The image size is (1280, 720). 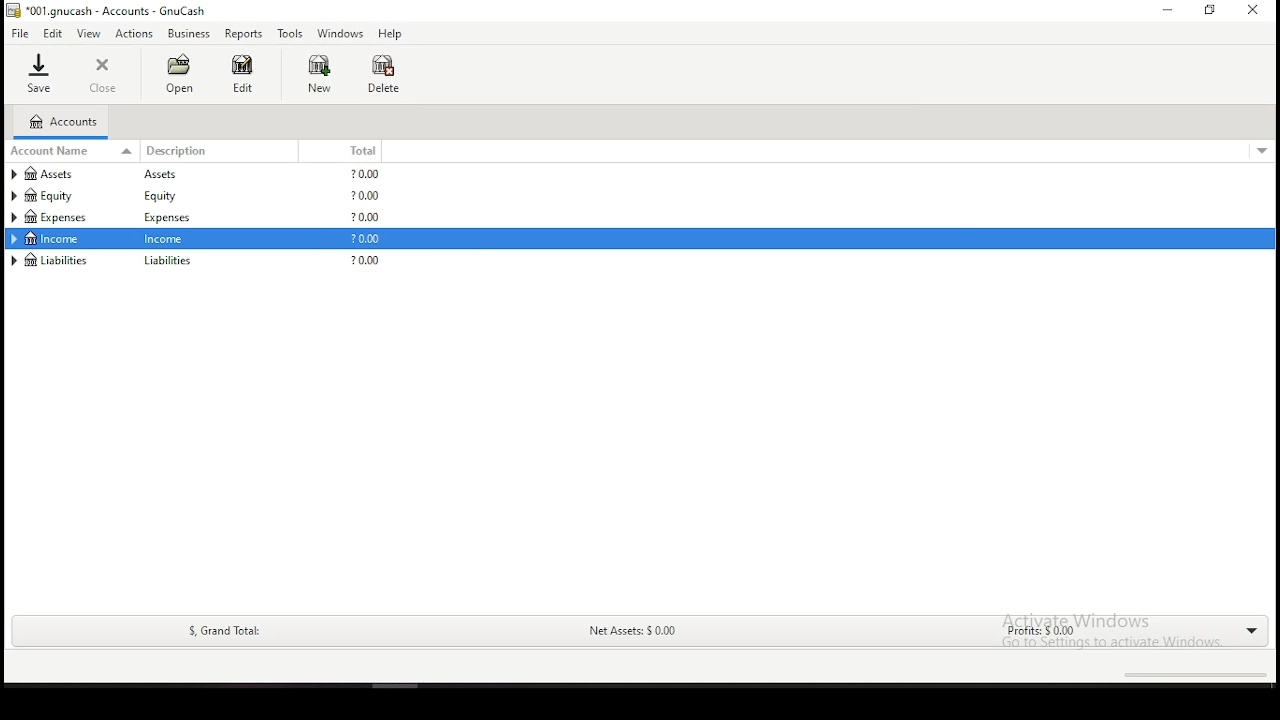 I want to click on ? 0.00, so click(x=365, y=197).